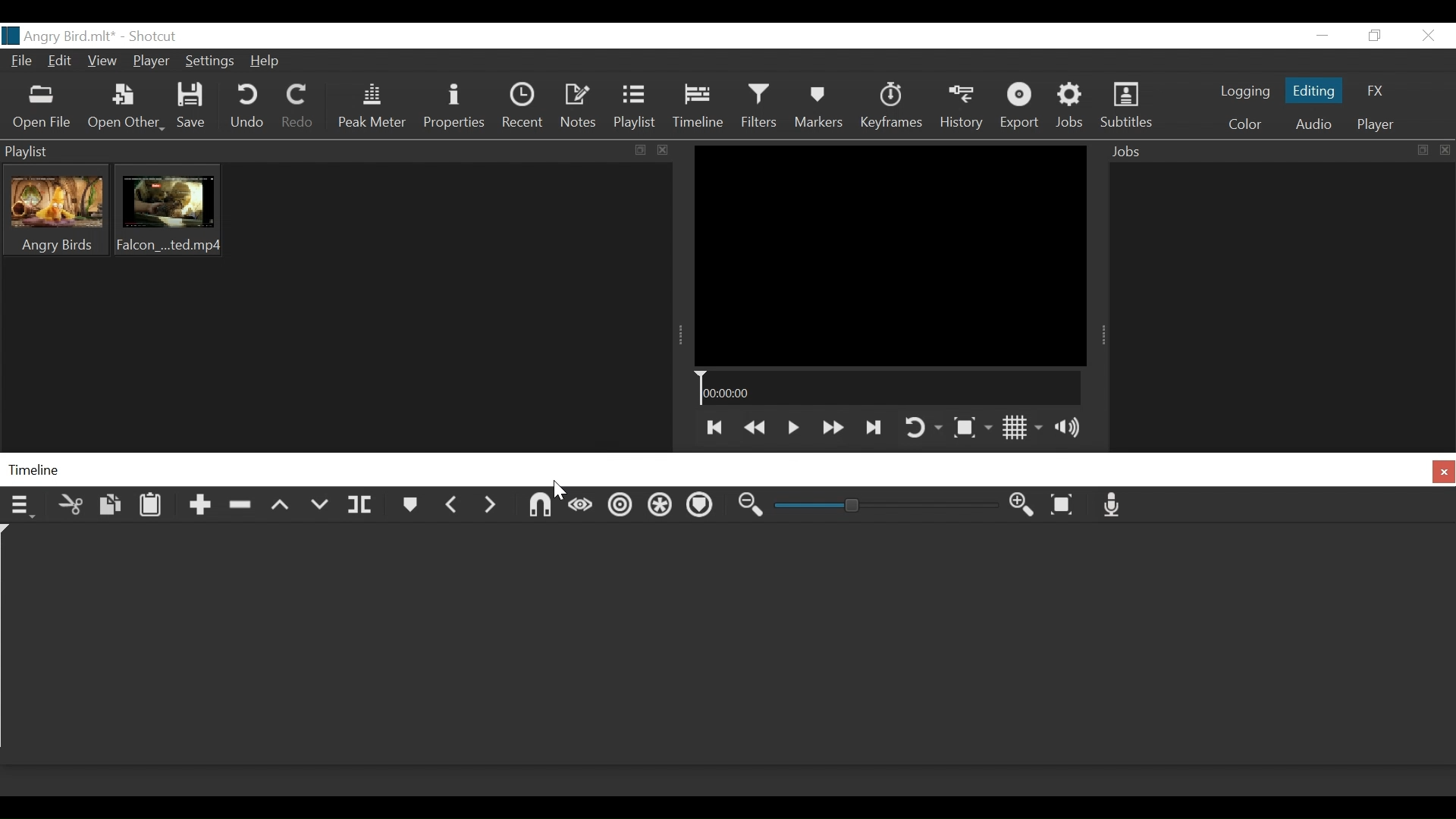 The height and width of the screenshot is (819, 1456). I want to click on Audio, so click(1312, 125).